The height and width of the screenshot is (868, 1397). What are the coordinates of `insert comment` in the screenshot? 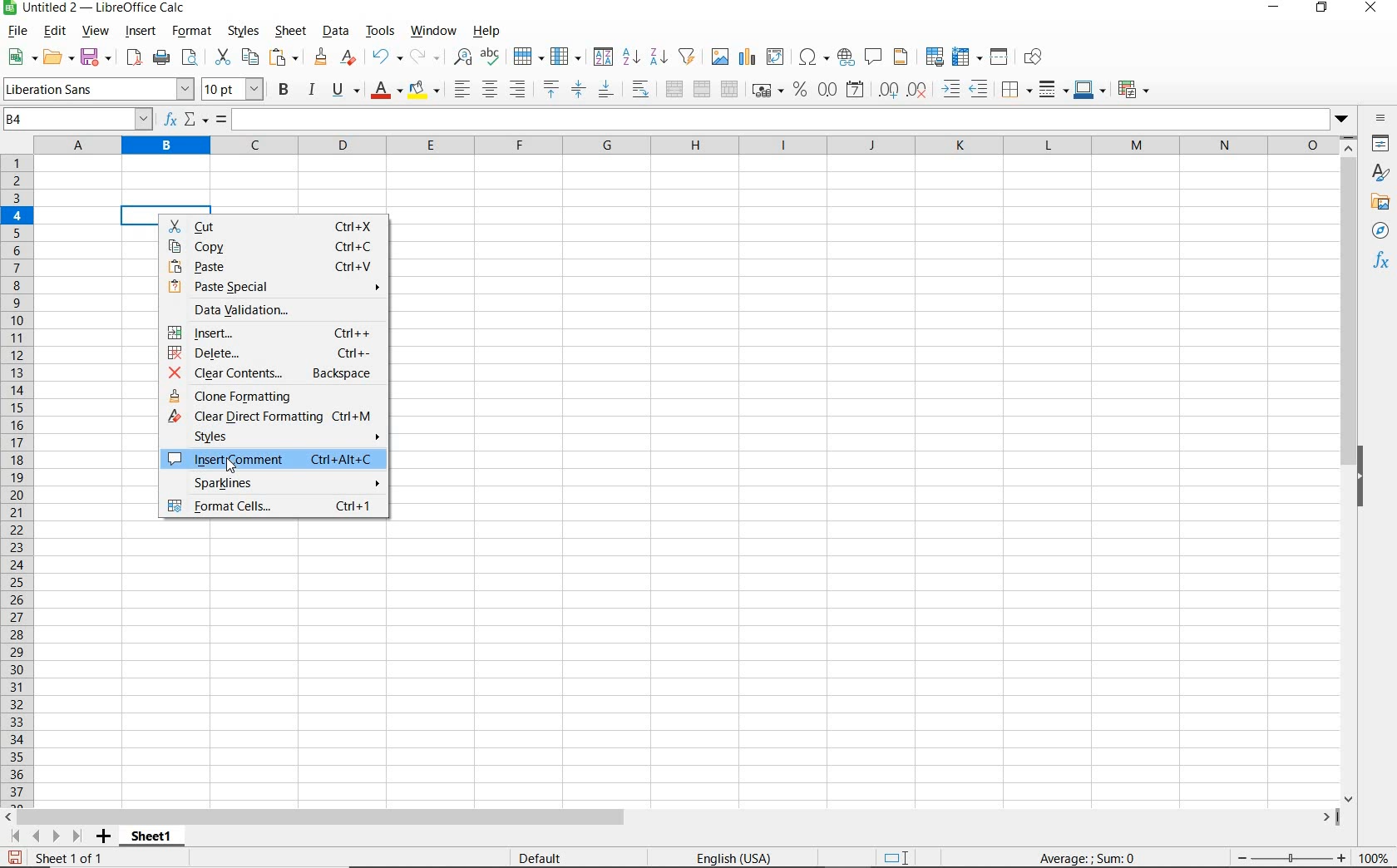 It's located at (276, 460).